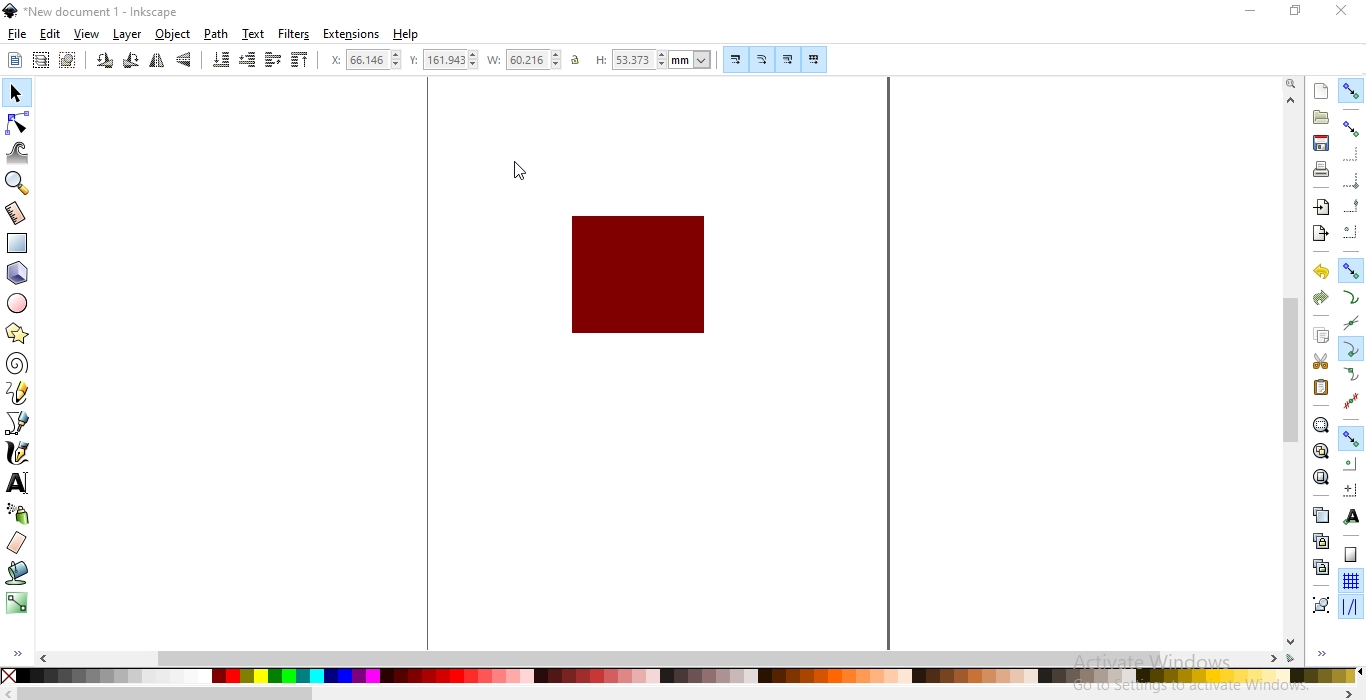 This screenshot has height=700, width=1366. I want to click on cut selection, so click(1318, 362).